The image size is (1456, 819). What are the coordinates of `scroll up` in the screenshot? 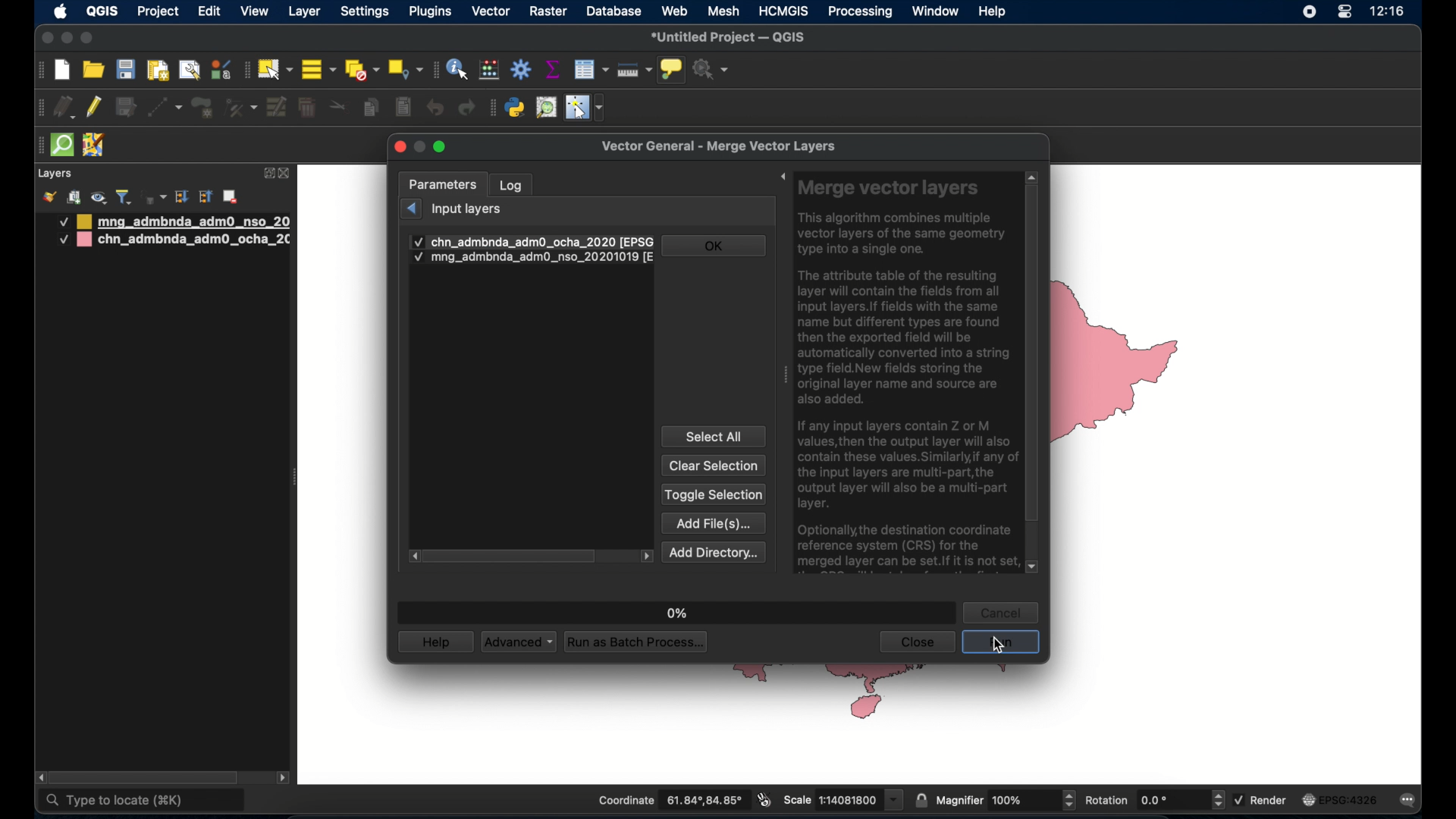 It's located at (1031, 175).